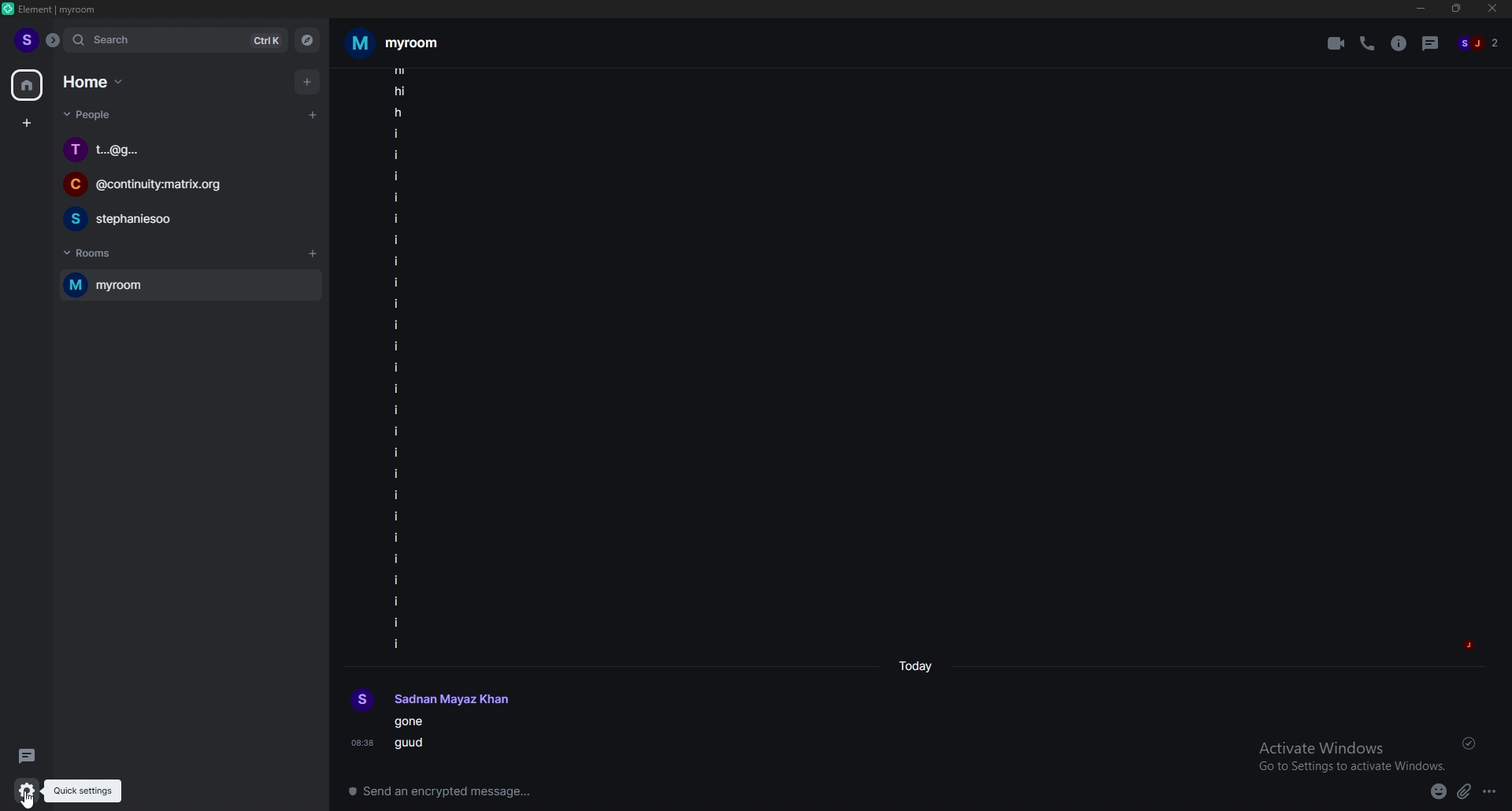 Image resolution: width=1512 pixels, height=811 pixels. I want to click on room info, so click(1400, 43).